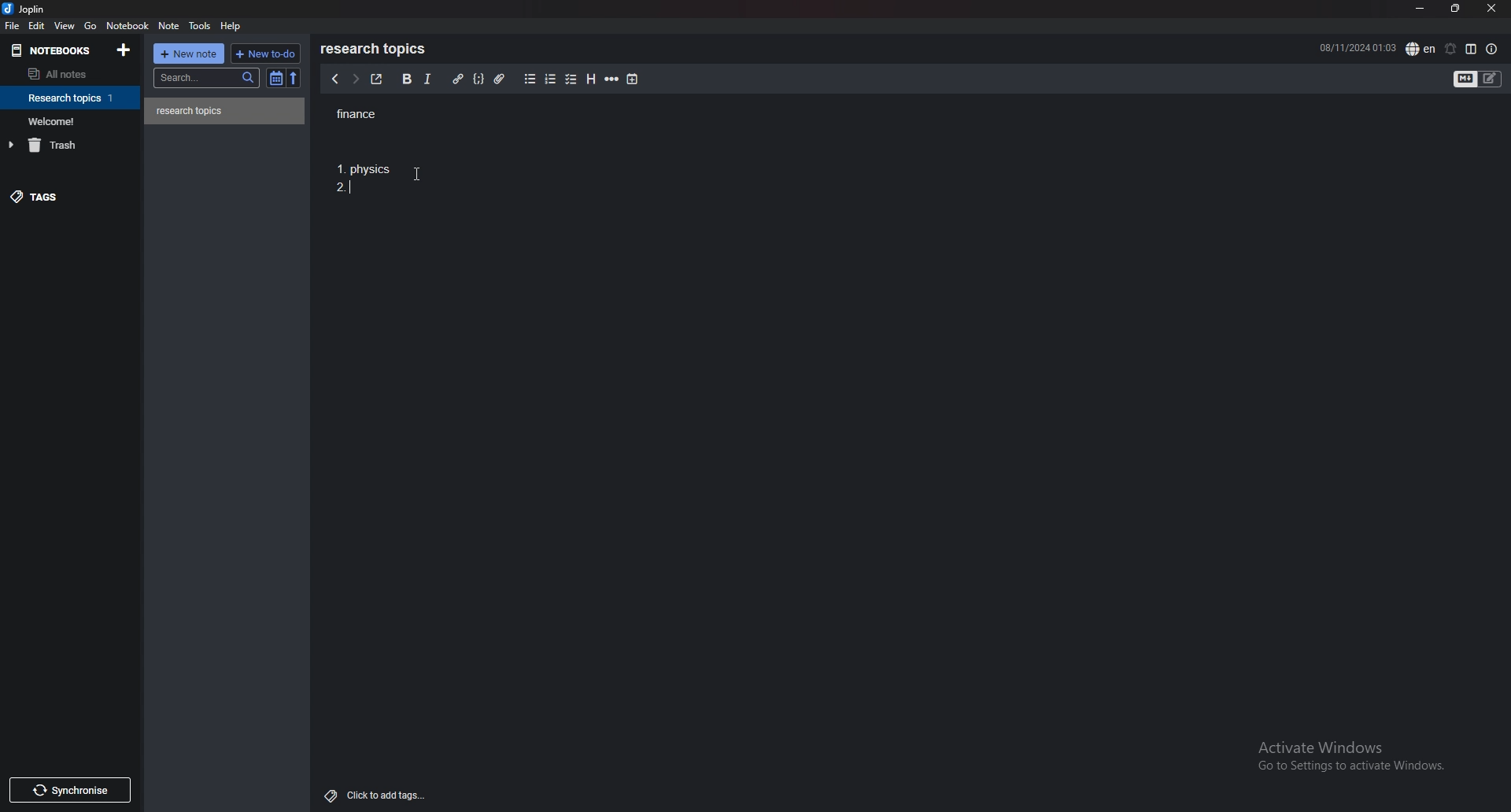  What do you see at coordinates (73, 145) in the screenshot?
I see `trash` at bounding box center [73, 145].